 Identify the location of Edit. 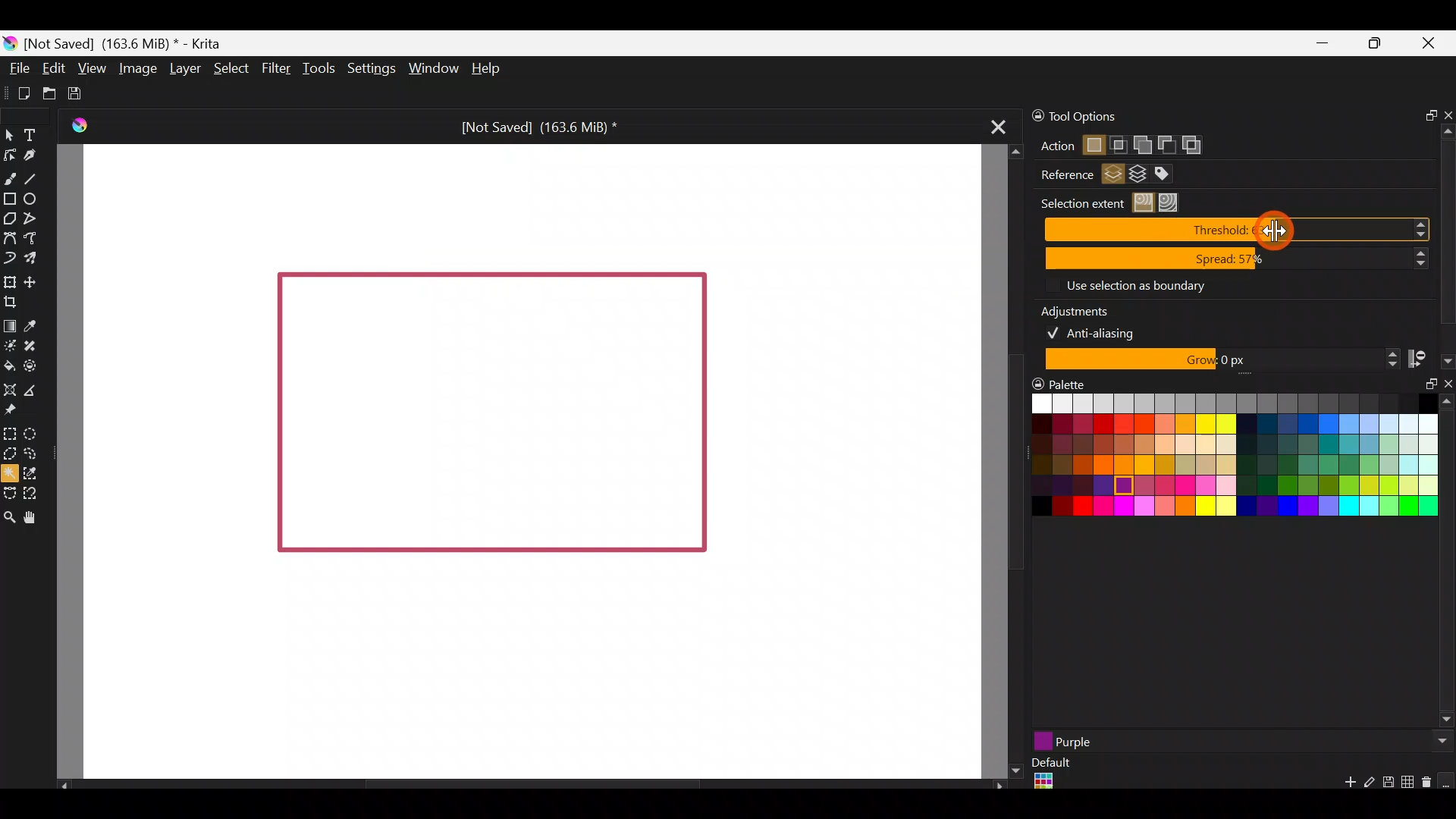
(53, 69).